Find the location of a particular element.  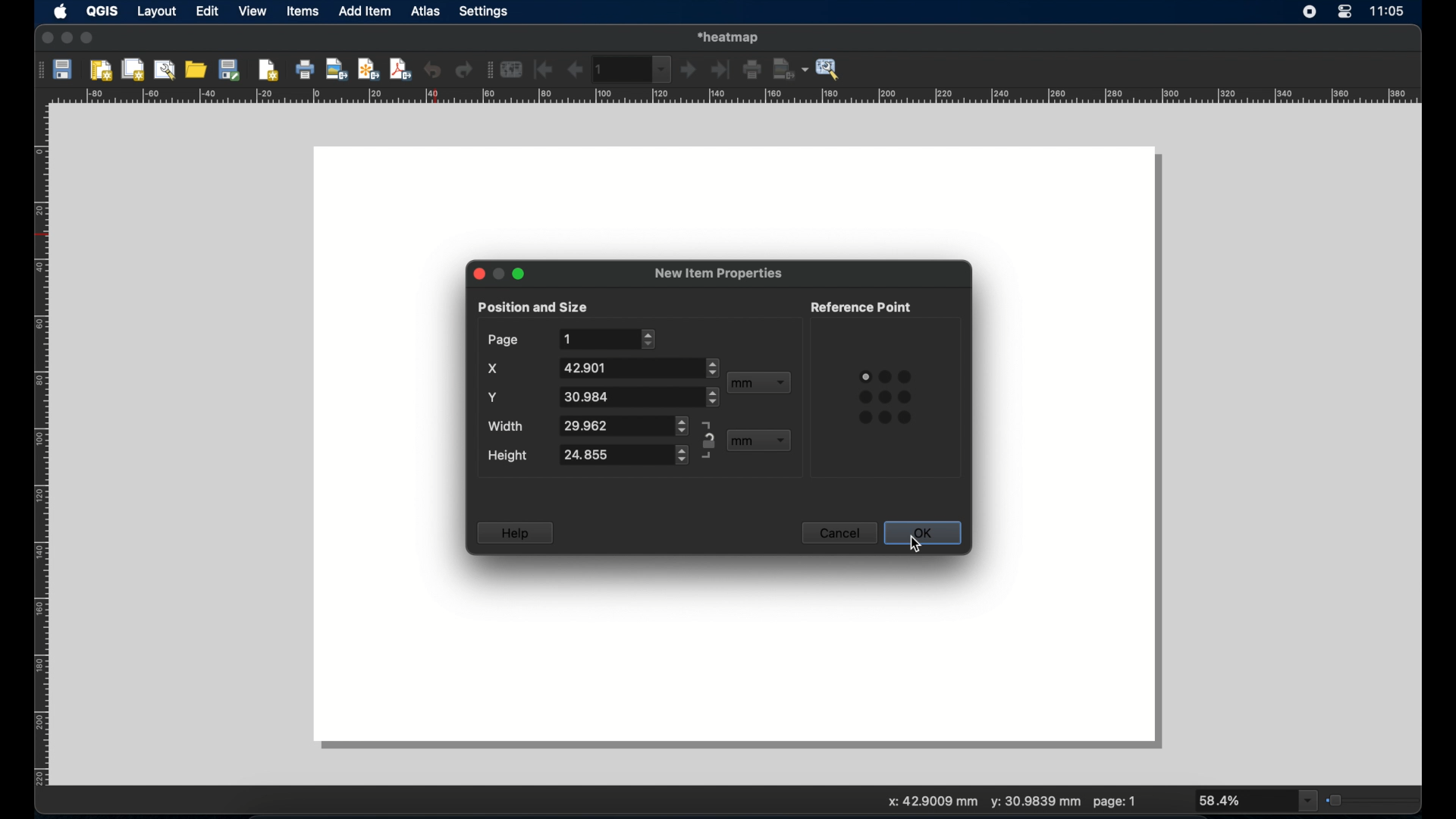

blank layout is located at coordinates (388, 424).